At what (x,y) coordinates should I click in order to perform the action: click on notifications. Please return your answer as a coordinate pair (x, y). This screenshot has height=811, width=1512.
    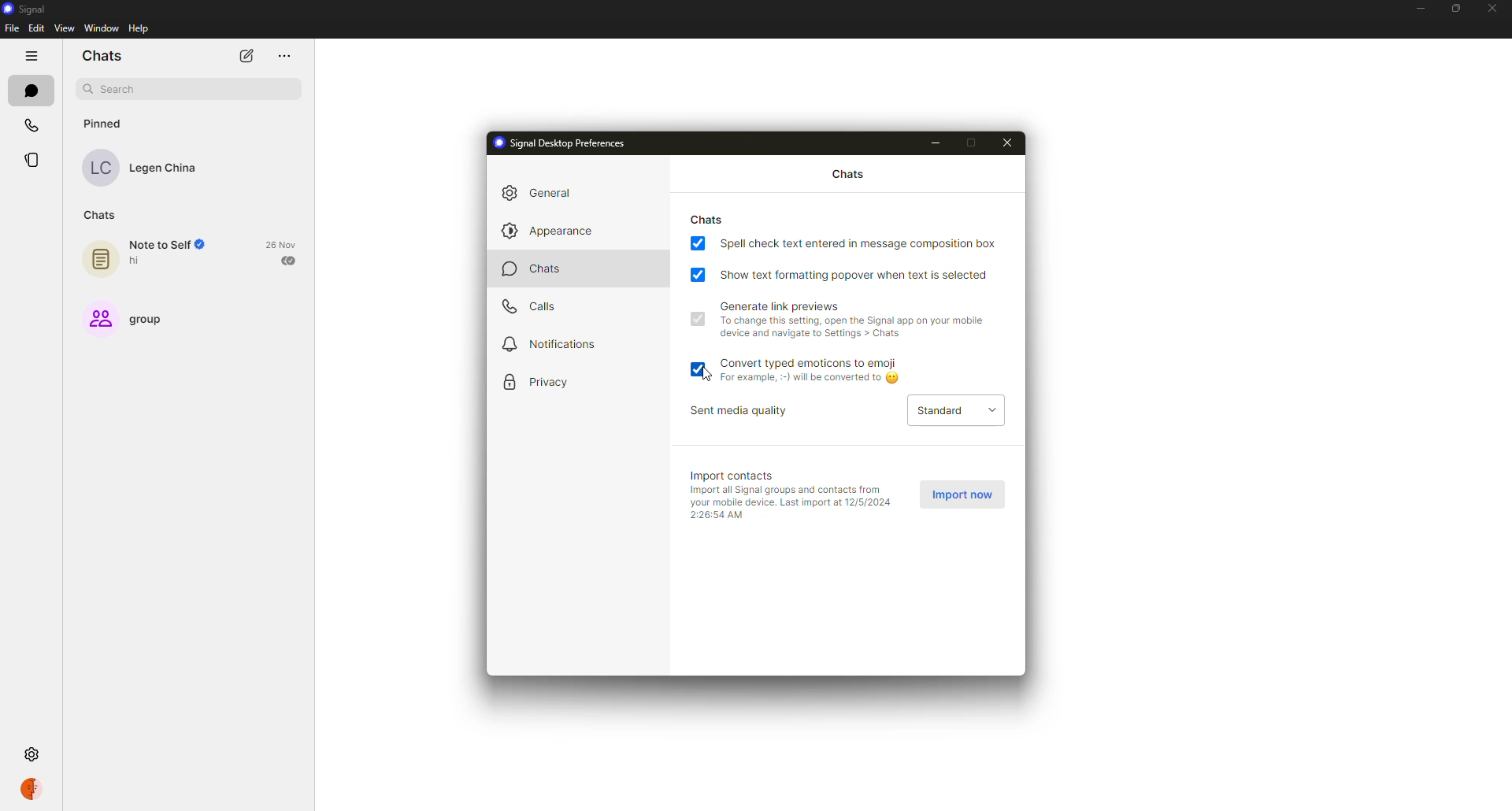
    Looking at the image, I should click on (551, 343).